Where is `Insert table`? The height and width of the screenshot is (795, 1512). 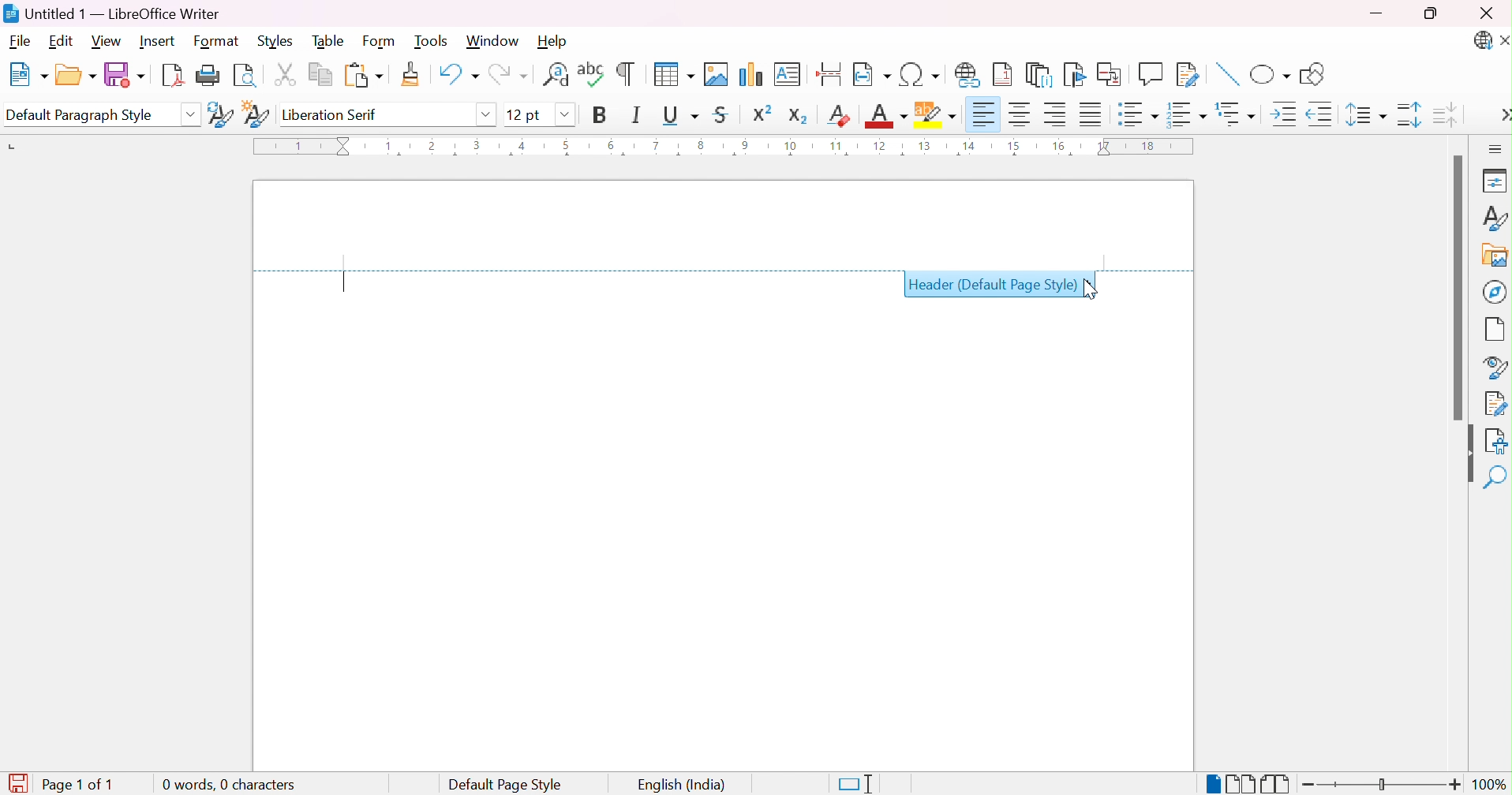
Insert table is located at coordinates (672, 73).